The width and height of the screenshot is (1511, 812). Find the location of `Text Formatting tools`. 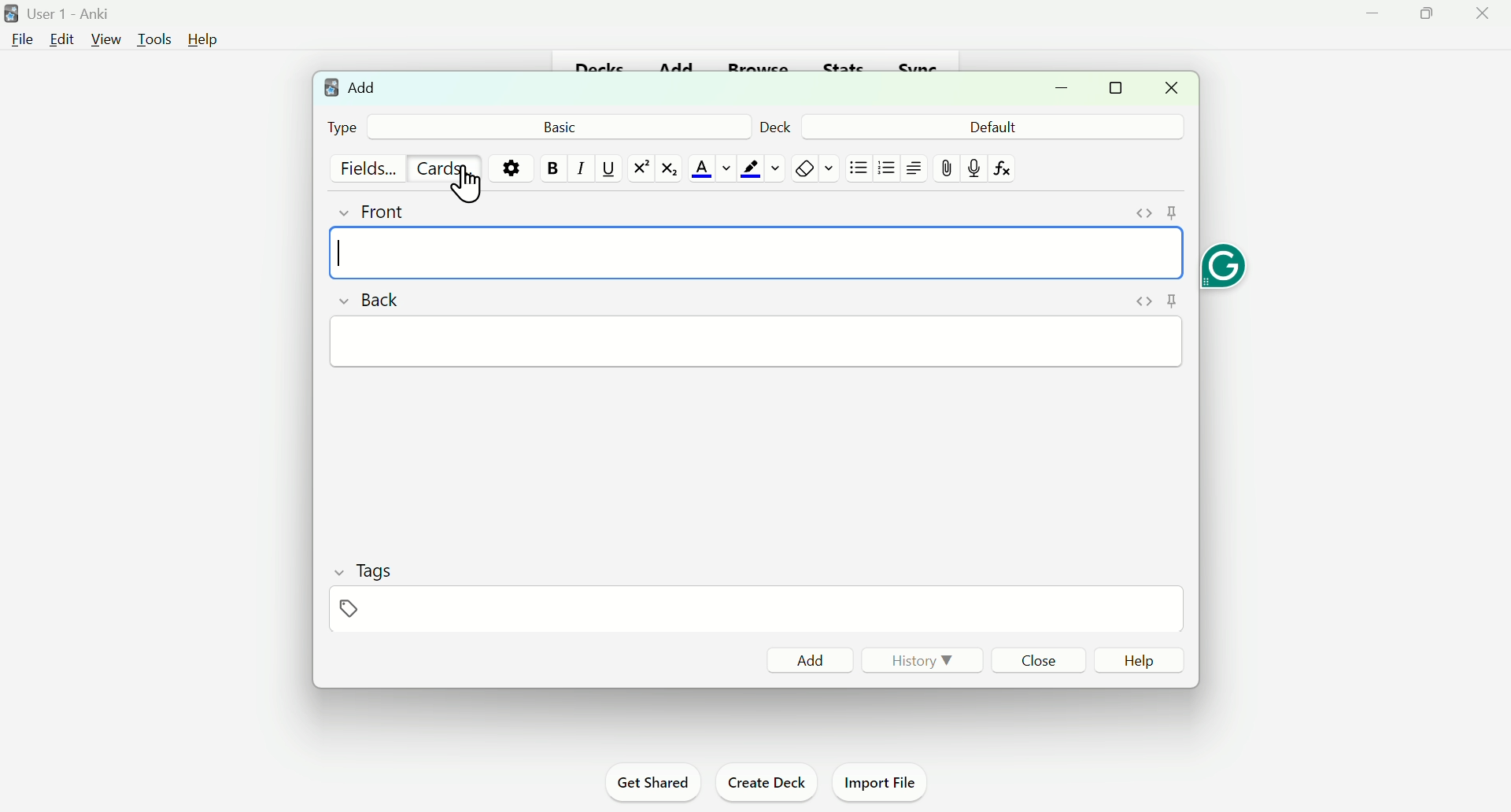

Text Formatting tools is located at coordinates (761, 168).